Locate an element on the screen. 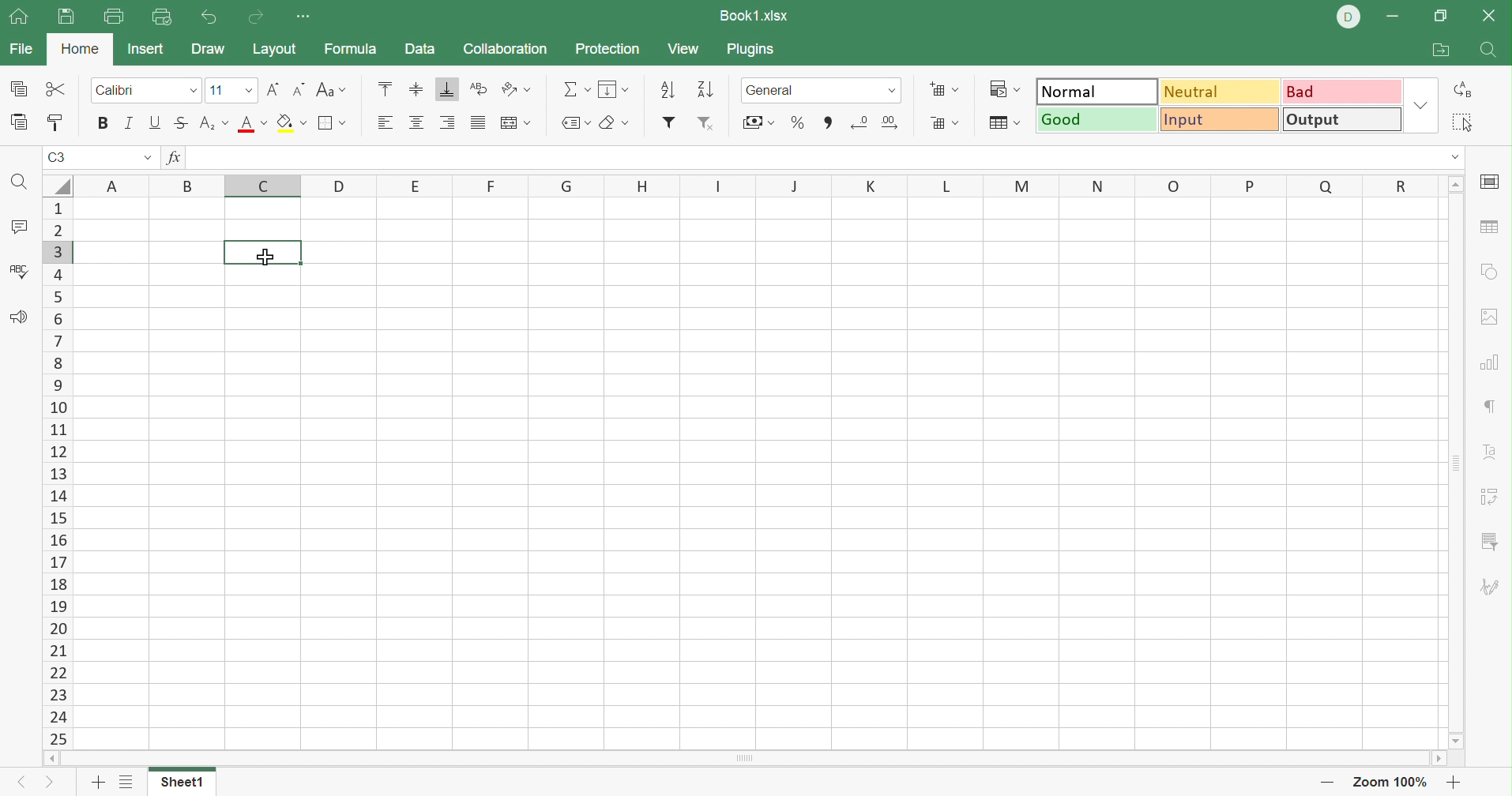 The height and width of the screenshot is (796, 1512). Strikethrough is located at coordinates (181, 123).